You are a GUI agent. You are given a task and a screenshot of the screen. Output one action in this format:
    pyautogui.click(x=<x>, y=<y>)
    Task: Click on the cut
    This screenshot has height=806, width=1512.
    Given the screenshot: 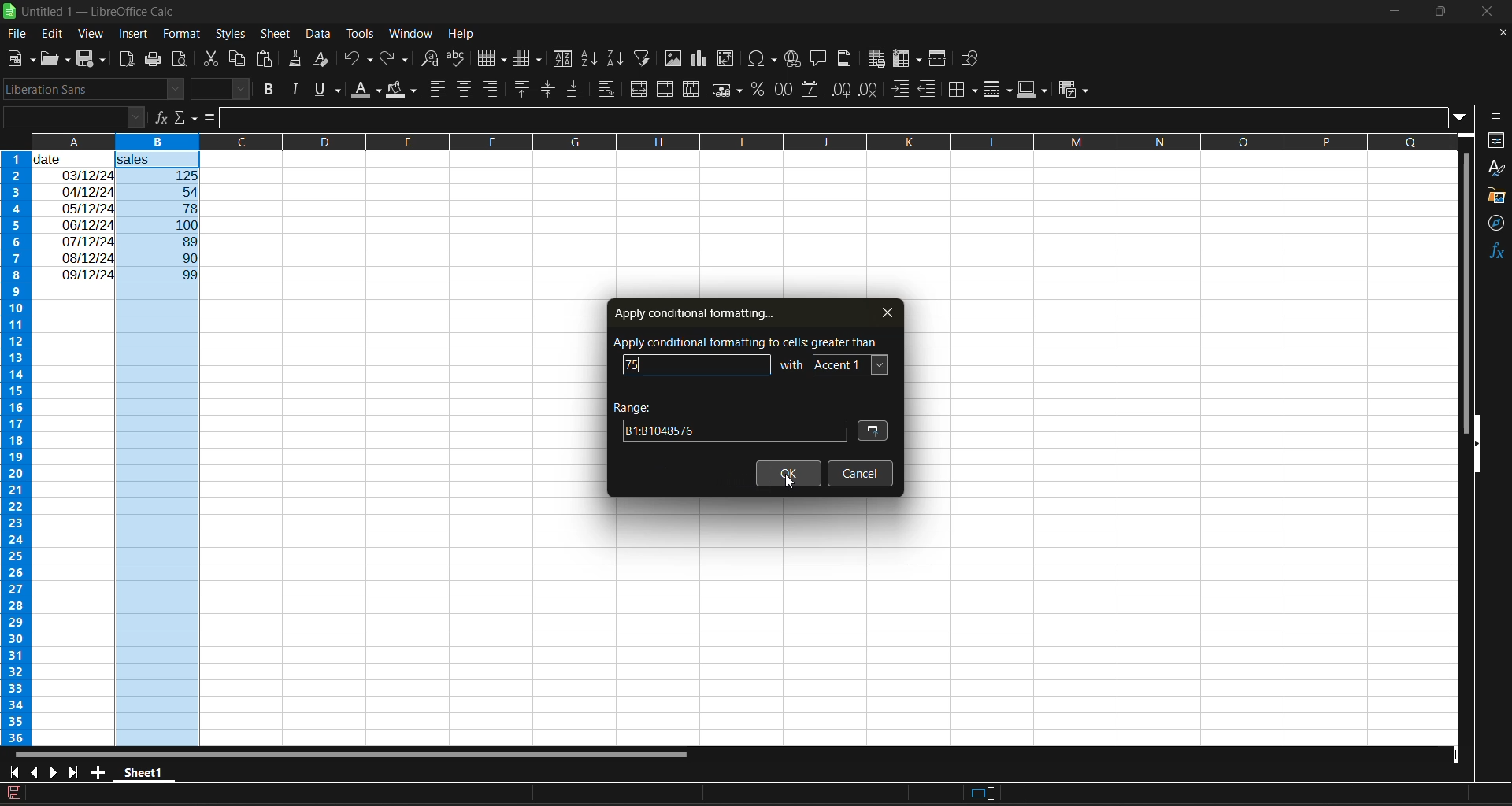 What is the action you would take?
    pyautogui.click(x=213, y=57)
    